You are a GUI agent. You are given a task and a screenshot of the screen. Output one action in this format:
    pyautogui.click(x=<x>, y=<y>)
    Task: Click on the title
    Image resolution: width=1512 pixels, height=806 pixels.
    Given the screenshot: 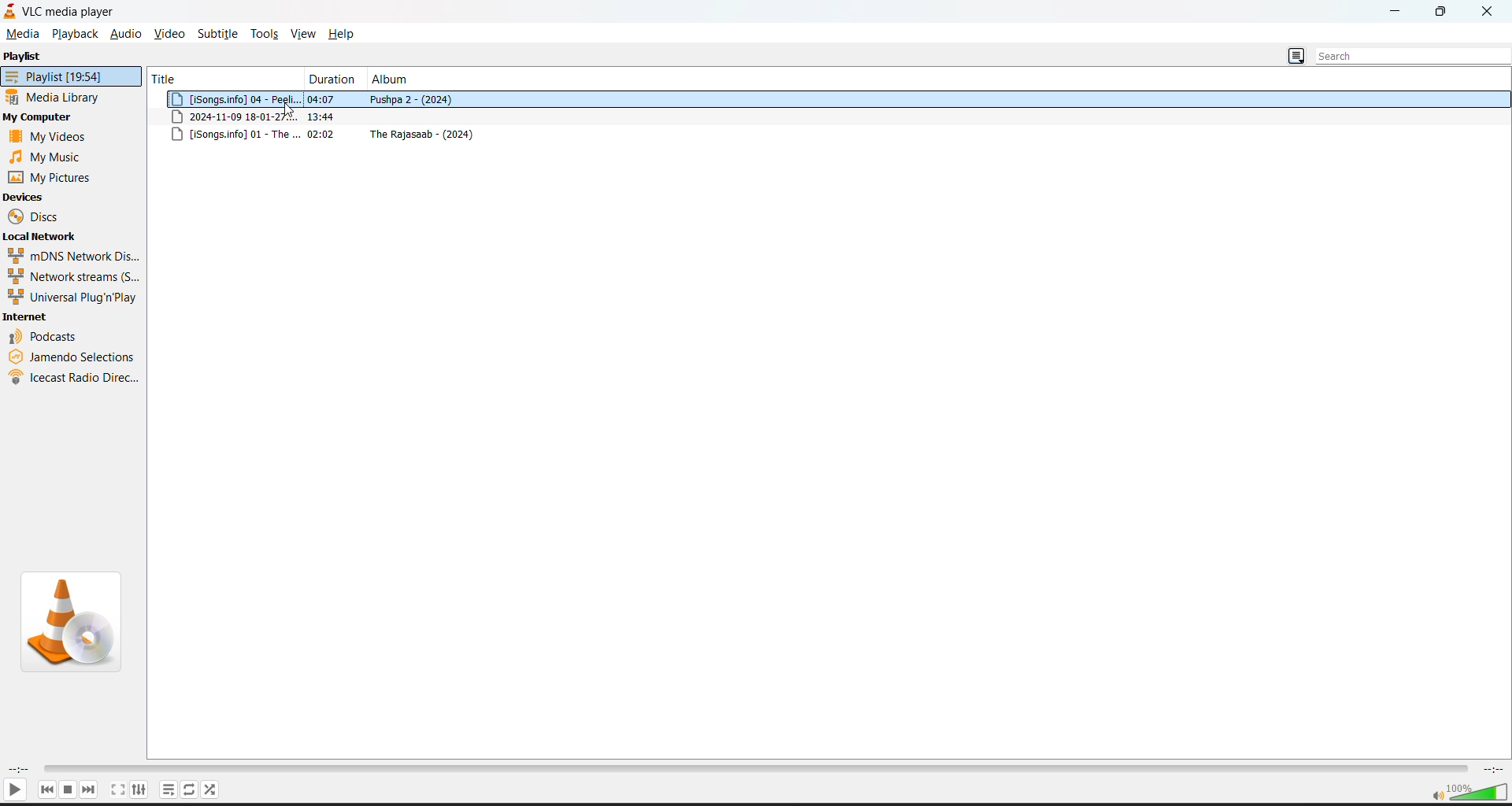 What is the action you would take?
    pyautogui.click(x=222, y=76)
    